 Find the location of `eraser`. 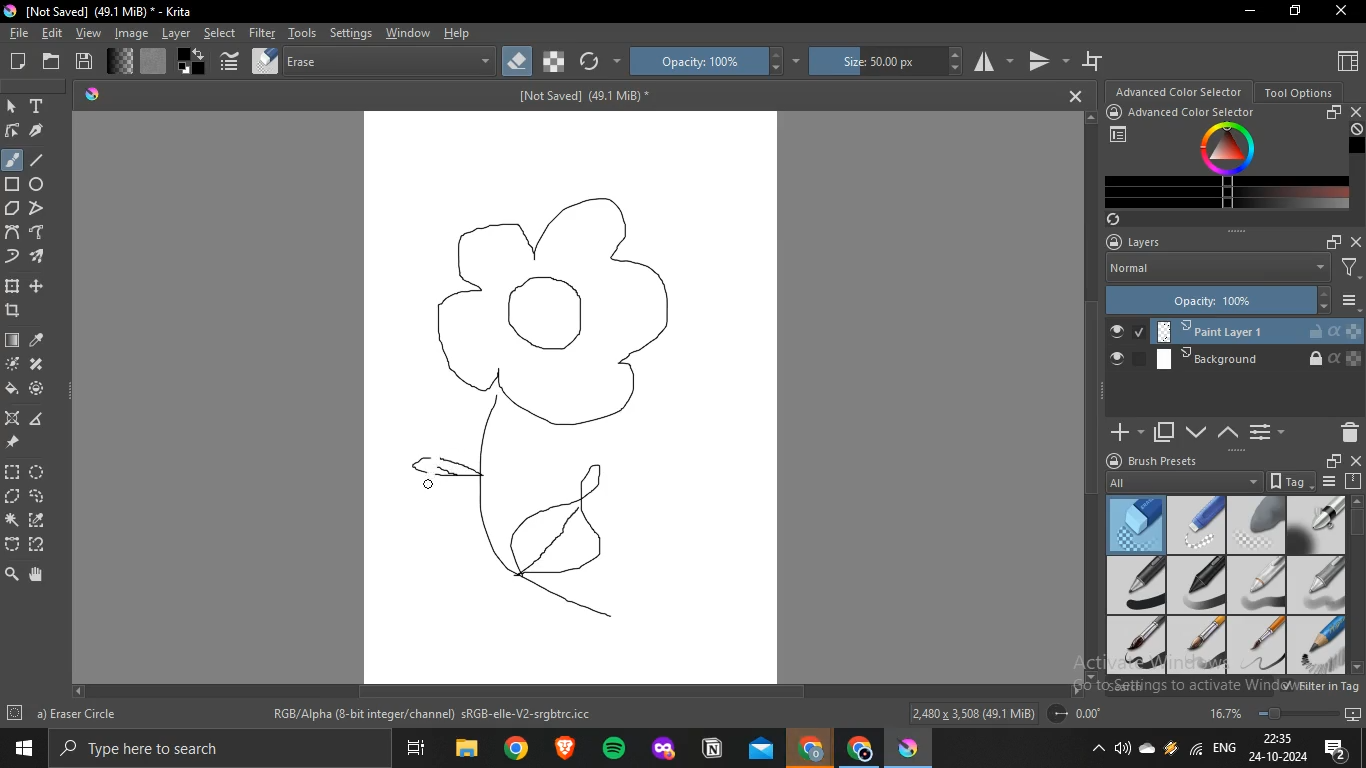

eraser is located at coordinates (1136, 522).